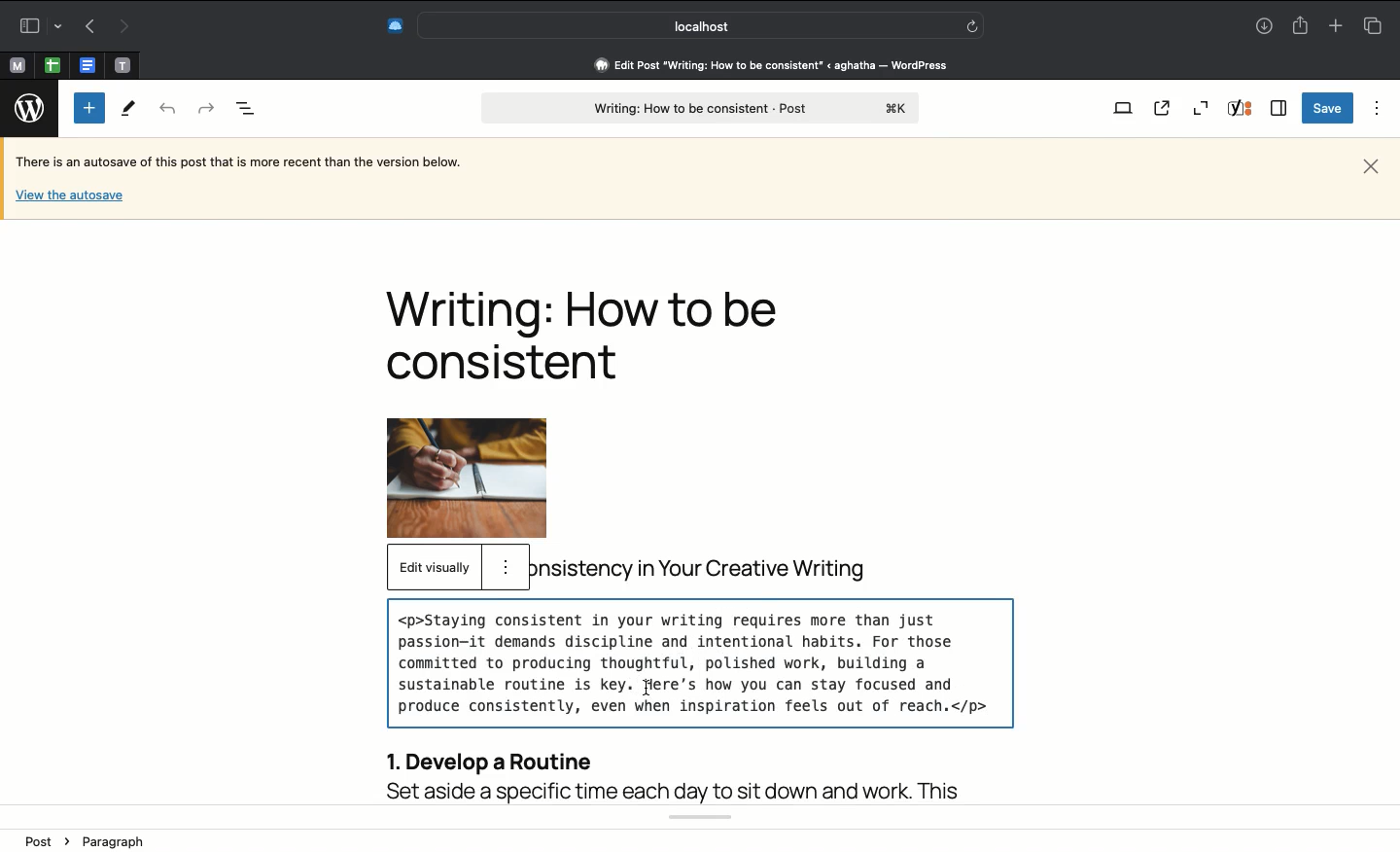 This screenshot has height=852, width=1400. I want to click on Autosave, so click(254, 163).